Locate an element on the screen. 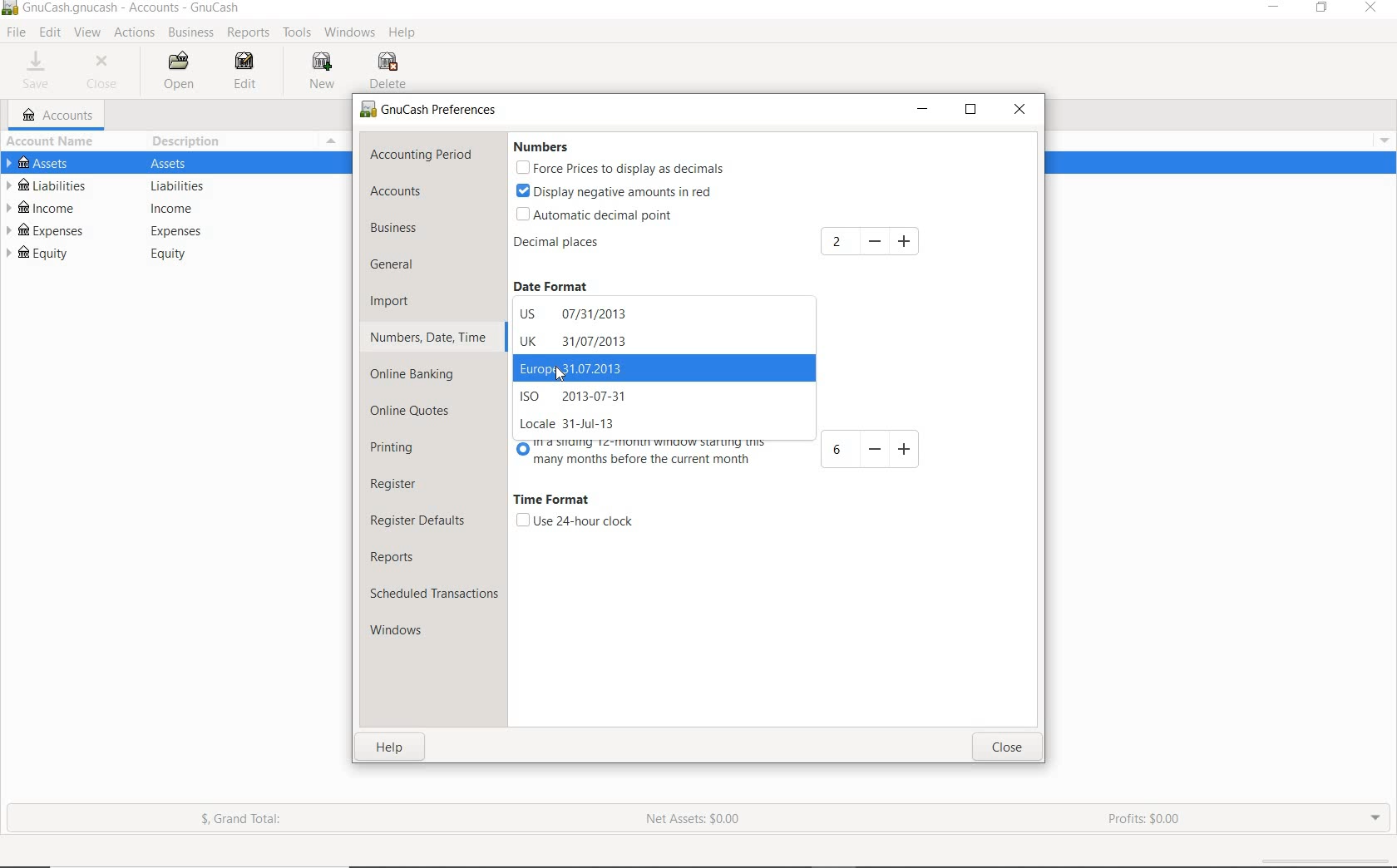 The image size is (1397, 868). DESCRIPTION is located at coordinates (189, 141).